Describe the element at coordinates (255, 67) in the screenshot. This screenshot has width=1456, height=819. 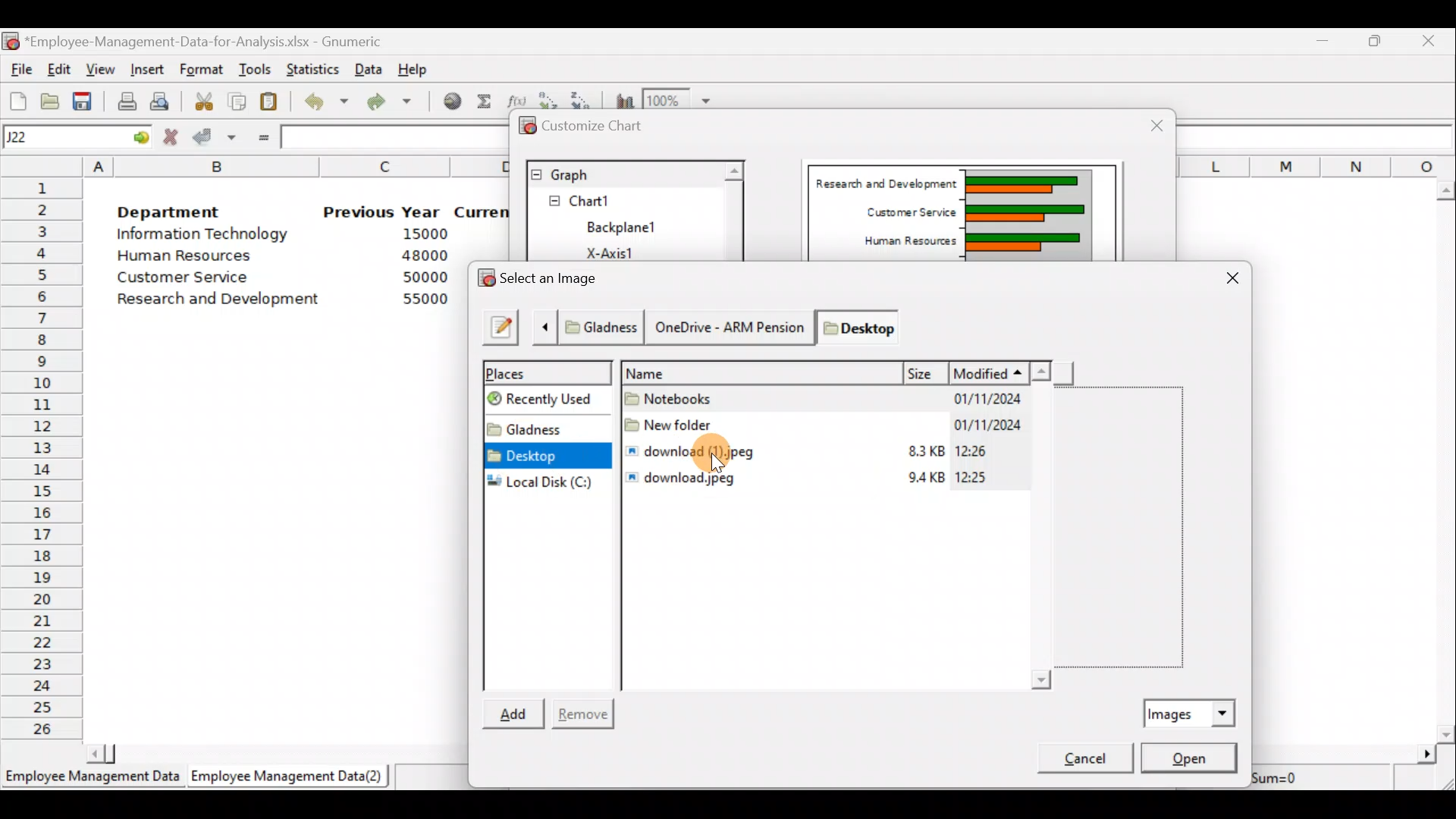
I see `Tools` at that location.